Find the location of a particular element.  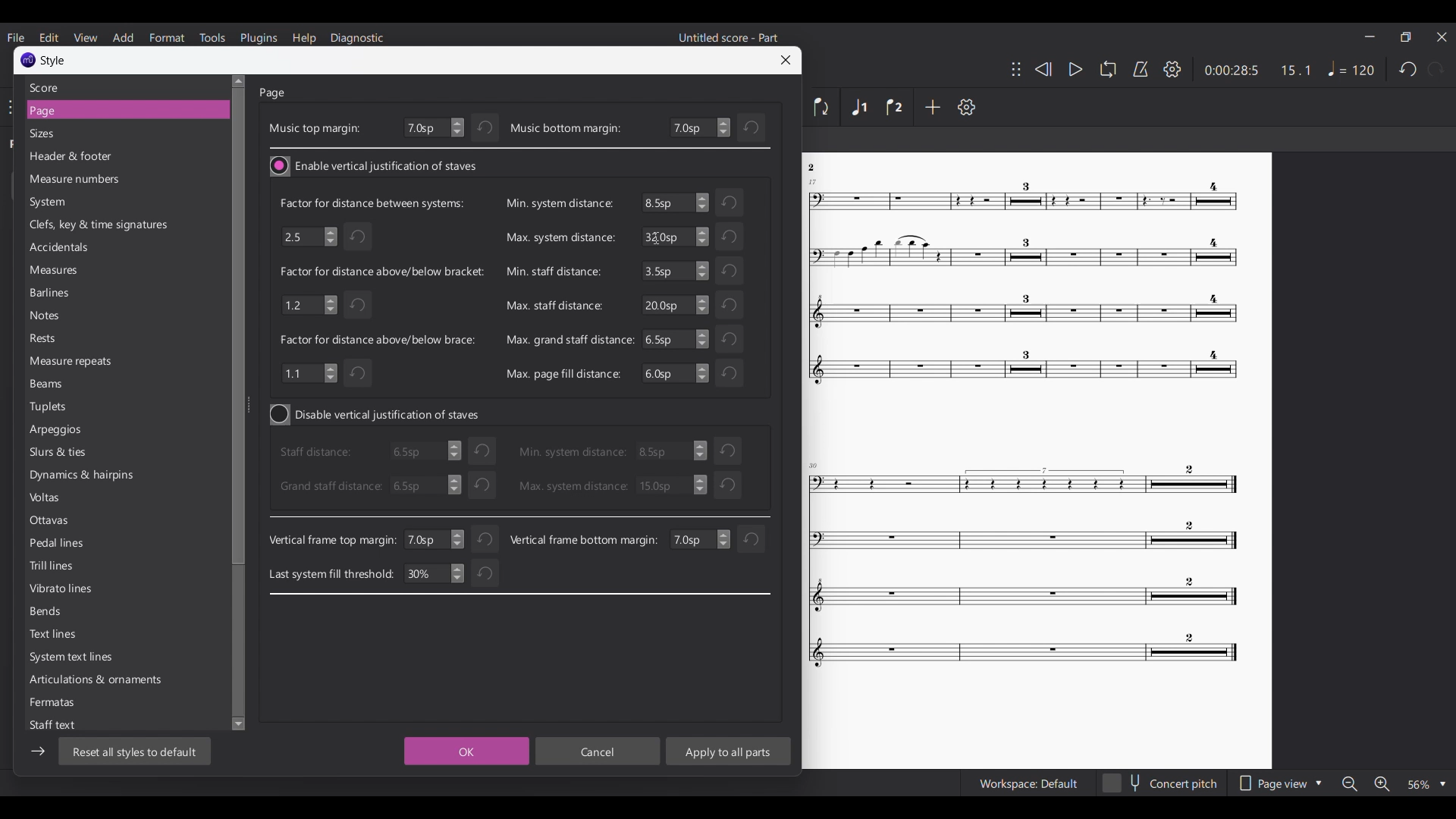

Indicates factor for distance between systems is located at coordinates (371, 202).